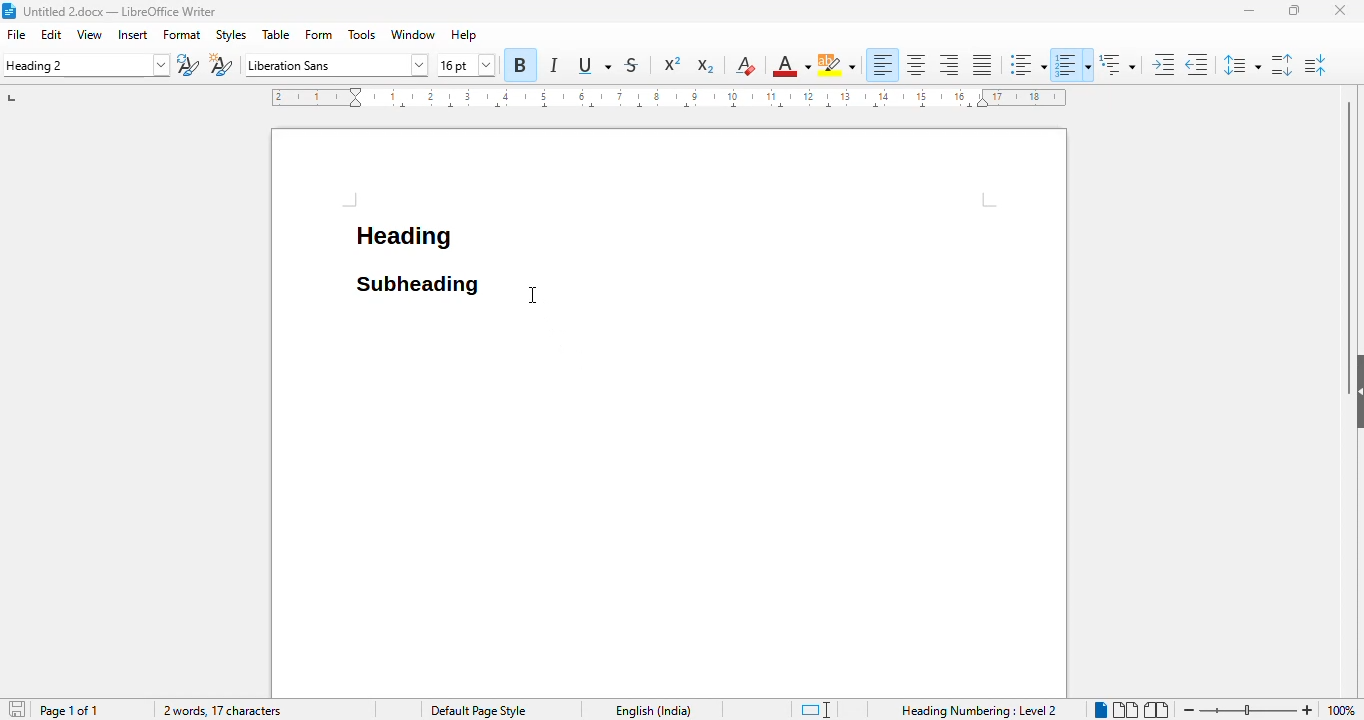 The width and height of the screenshot is (1364, 720). I want to click on form, so click(320, 34).